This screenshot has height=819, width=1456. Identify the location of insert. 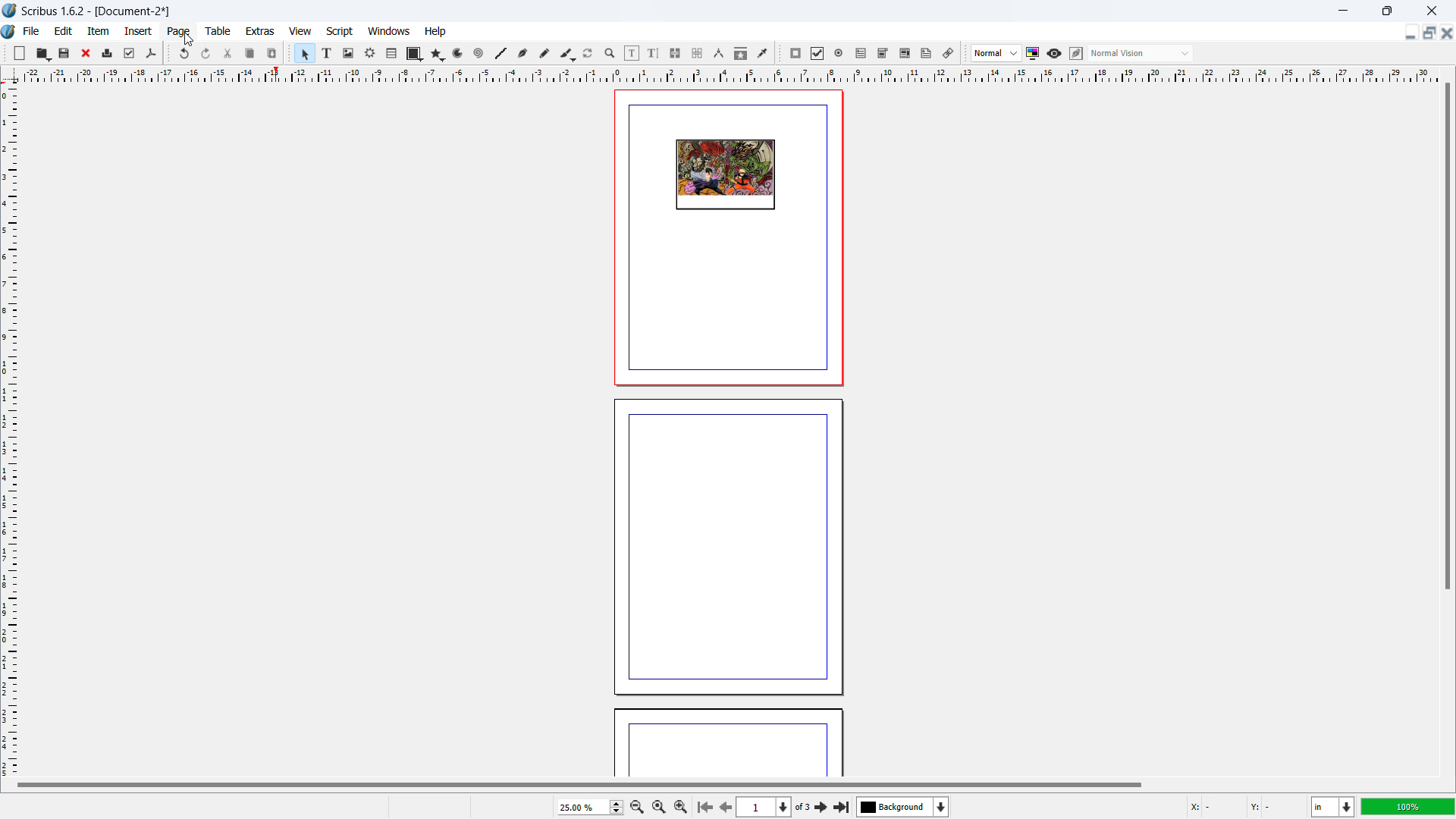
(140, 31).